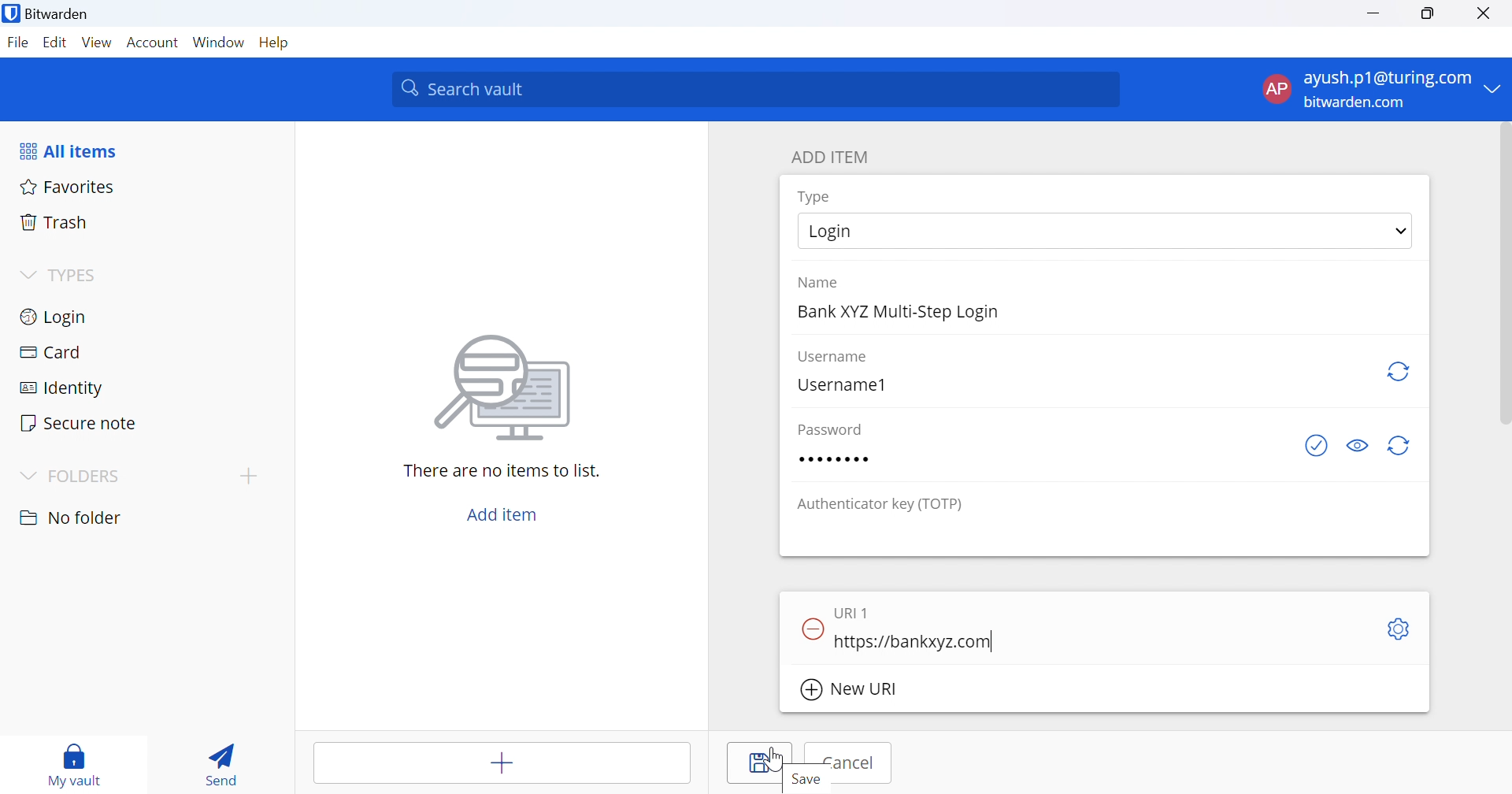 The height and width of the screenshot is (794, 1512). What do you see at coordinates (832, 429) in the screenshot?
I see `Password` at bounding box center [832, 429].